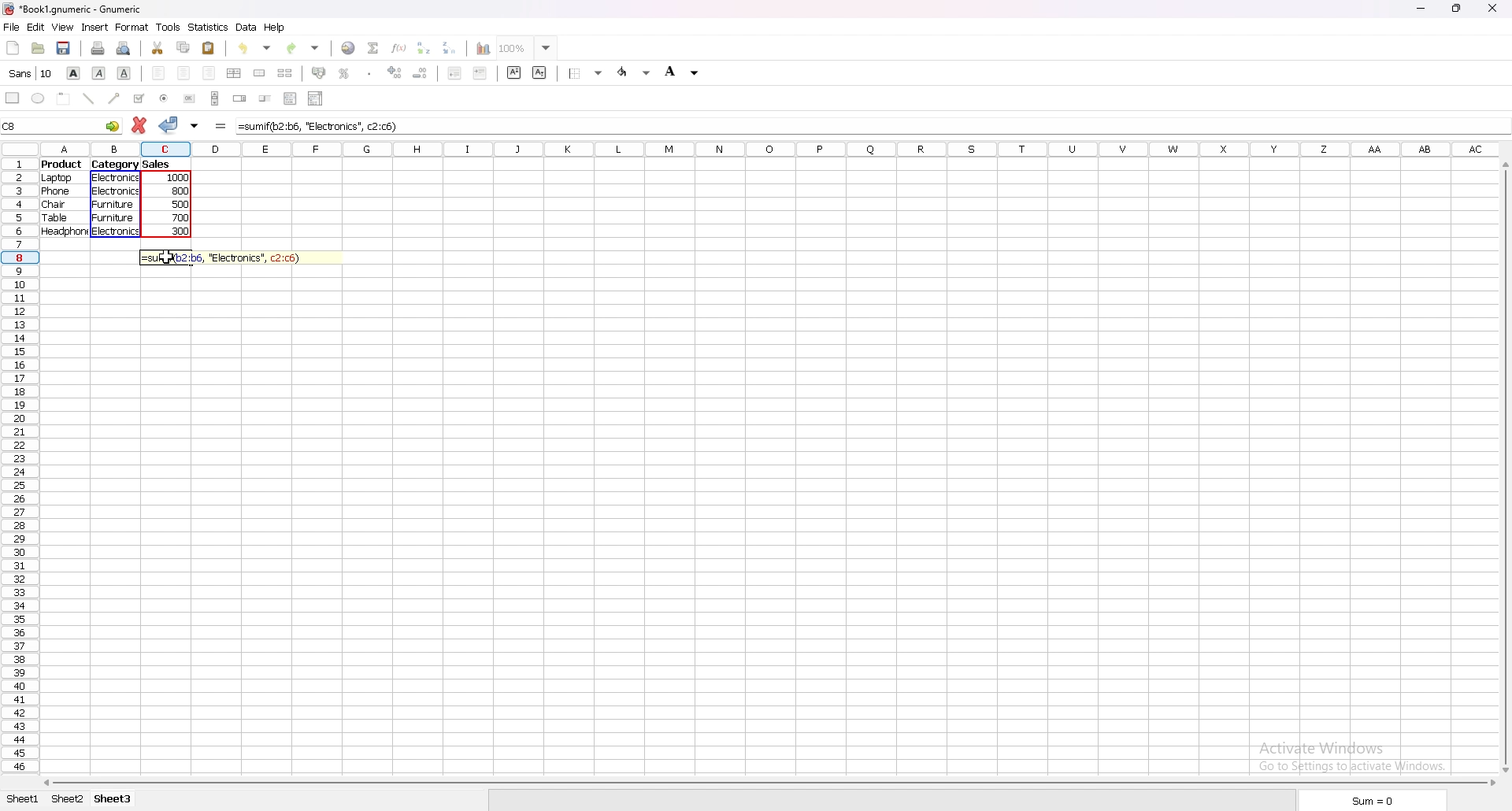 The width and height of the screenshot is (1512, 811). I want to click on formula, so click(221, 125).